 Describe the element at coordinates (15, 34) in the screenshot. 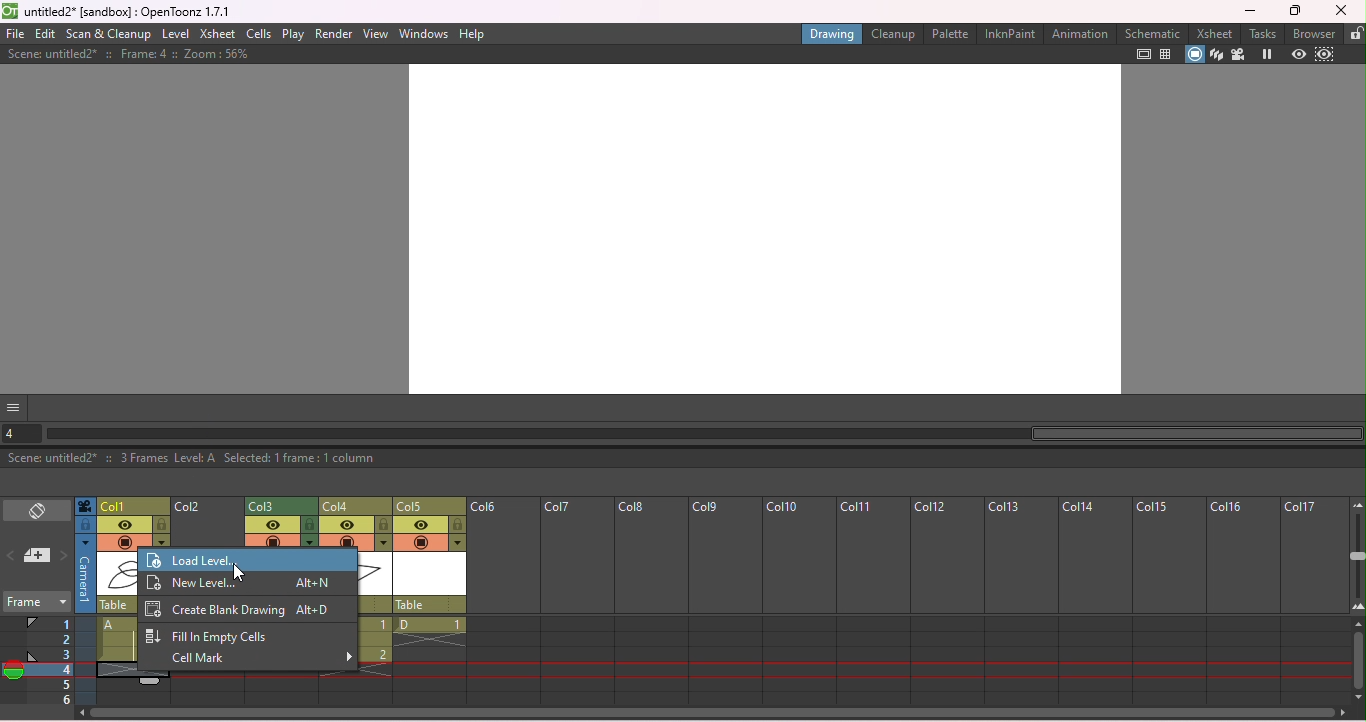

I see `file` at that location.